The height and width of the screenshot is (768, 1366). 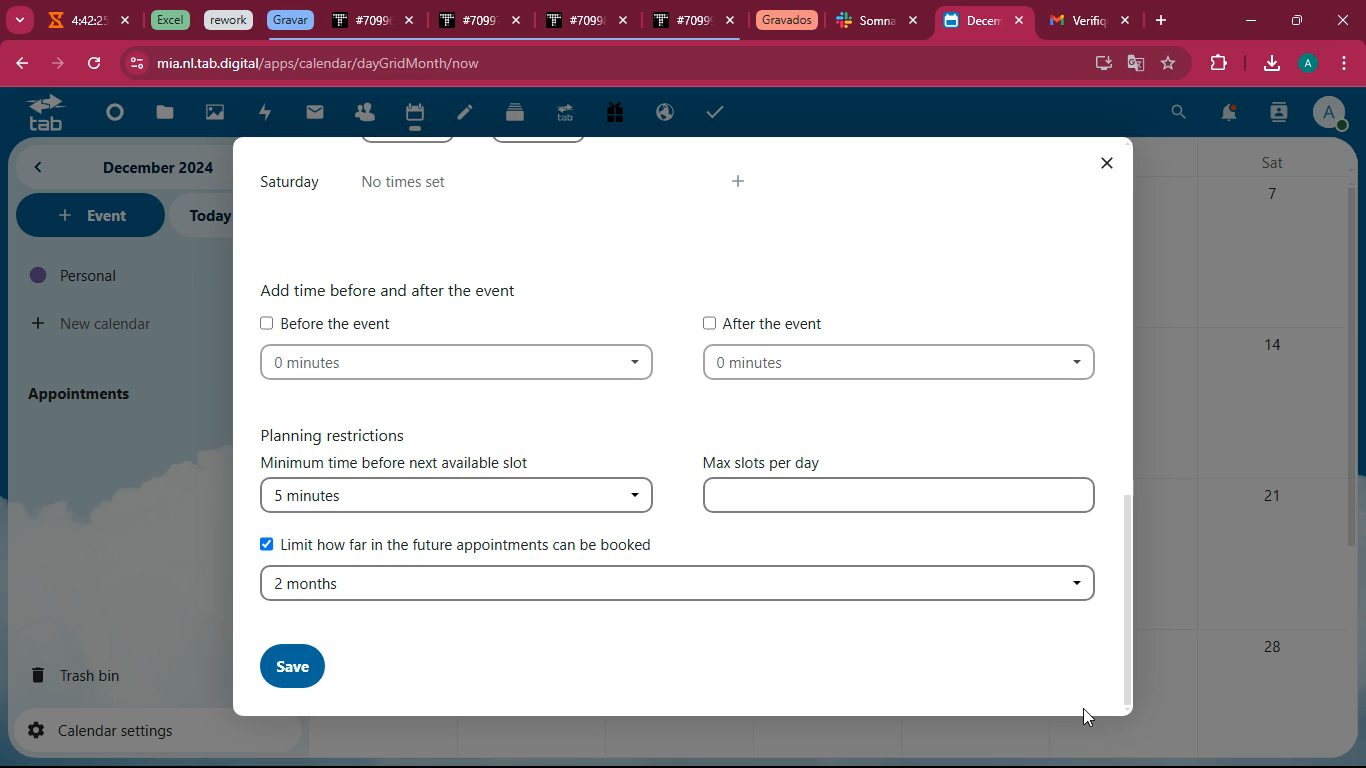 I want to click on after the event, so click(x=767, y=322).